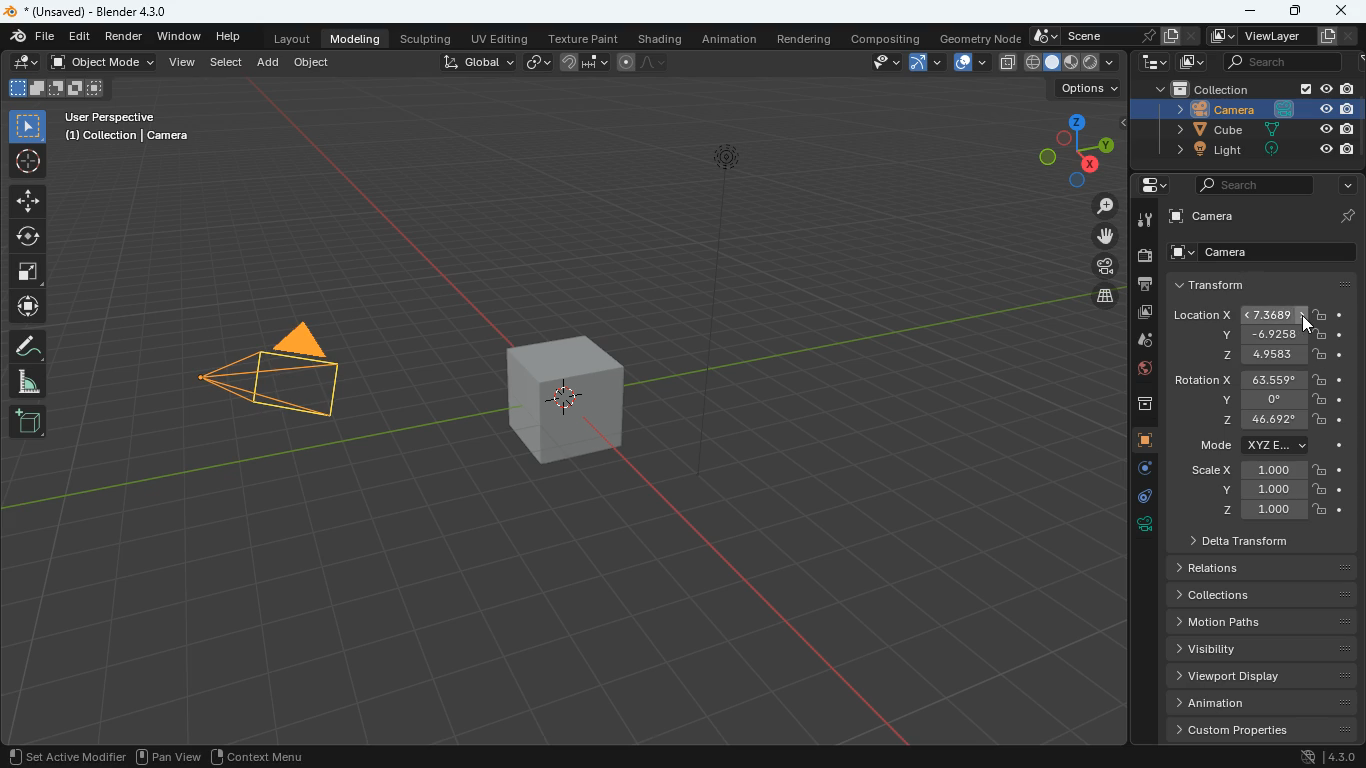 The width and height of the screenshot is (1366, 768). What do you see at coordinates (1071, 60) in the screenshot?
I see `type` at bounding box center [1071, 60].